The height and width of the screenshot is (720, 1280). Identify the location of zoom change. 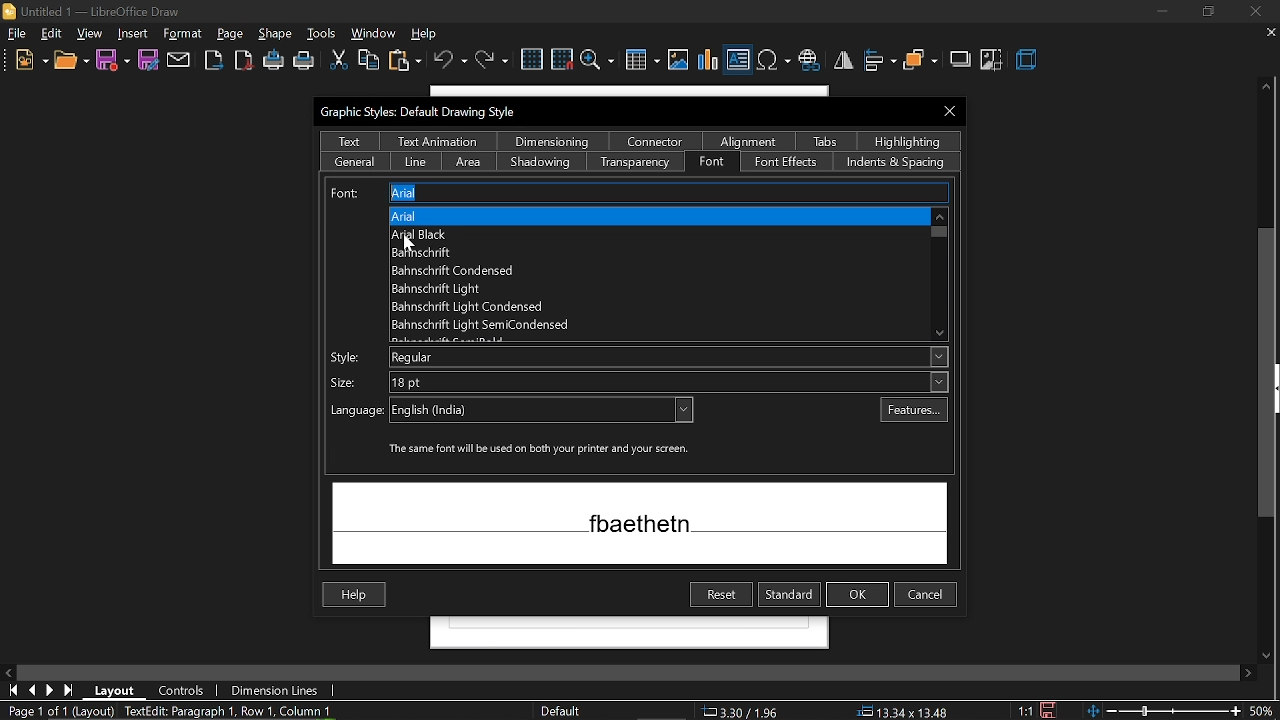
(1183, 713).